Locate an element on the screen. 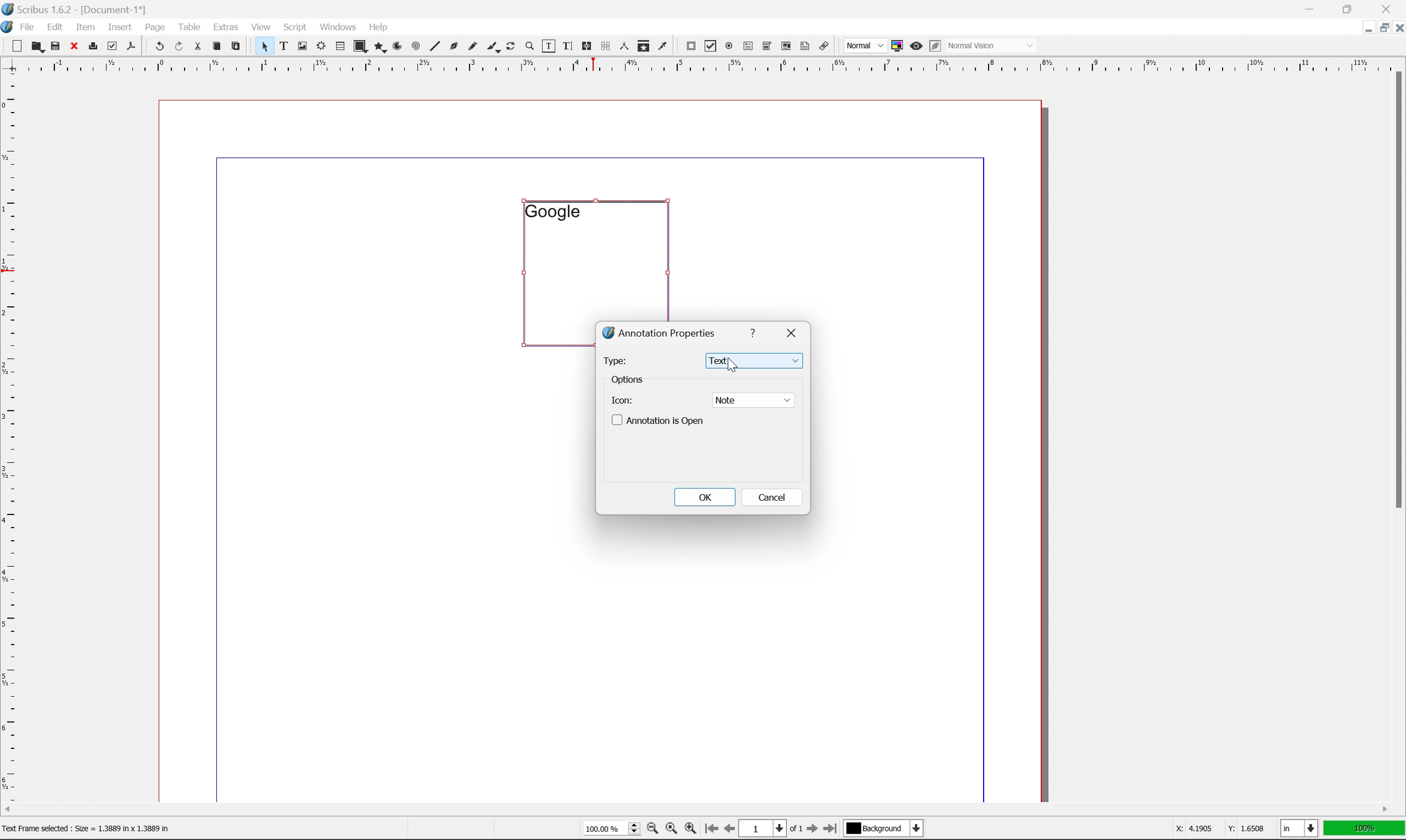 This screenshot has height=840, width=1406. normal is located at coordinates (864, 45).